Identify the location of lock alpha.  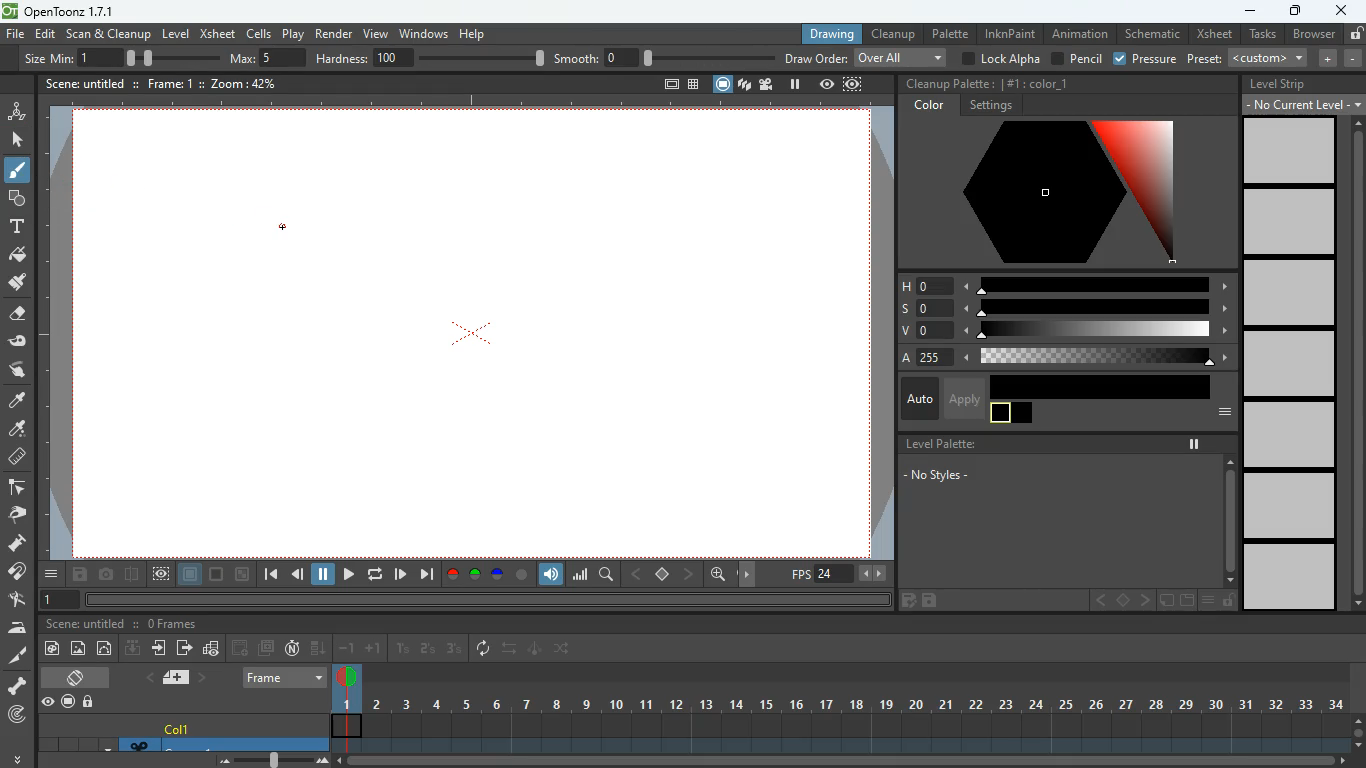
(999, 58).